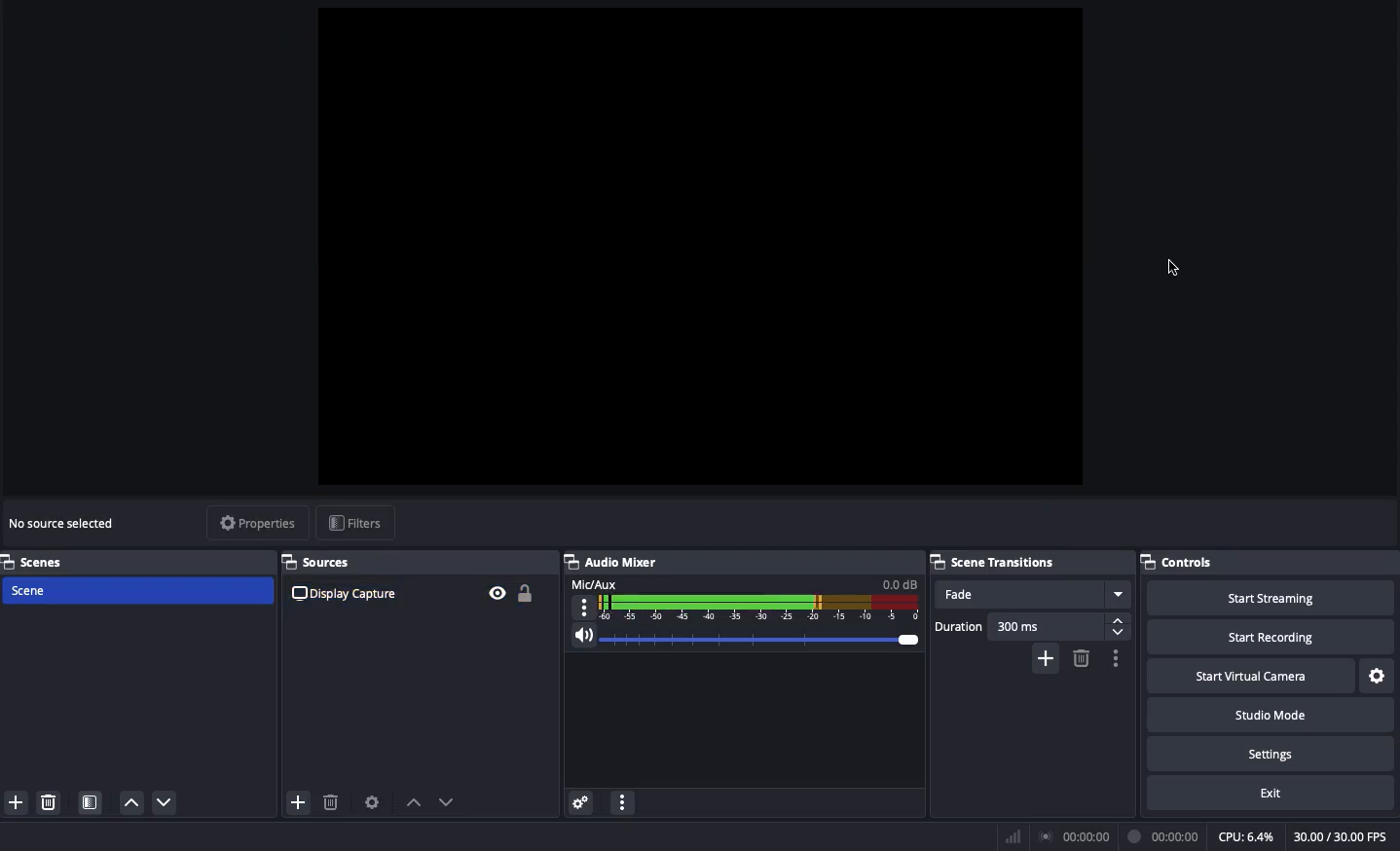  Describe the element at coordinates (69, 526) in the screenshot. I see `Display capture` at that location.